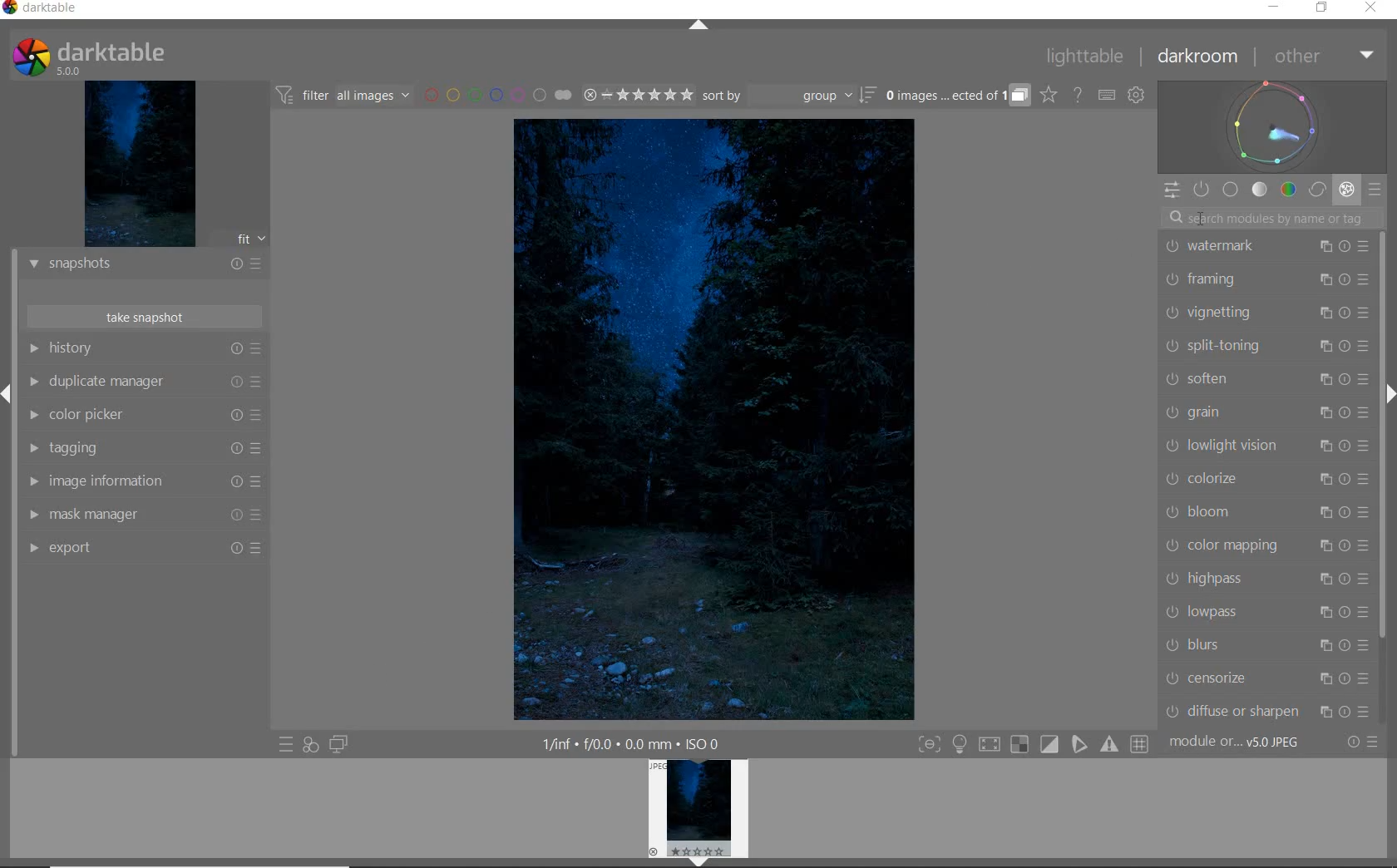 This screenshot has height=868, width=1397. Describe the element at coordinates (287, 745) in the screenshot. I see `QUICK ACCESS TO PRESET` at that location.